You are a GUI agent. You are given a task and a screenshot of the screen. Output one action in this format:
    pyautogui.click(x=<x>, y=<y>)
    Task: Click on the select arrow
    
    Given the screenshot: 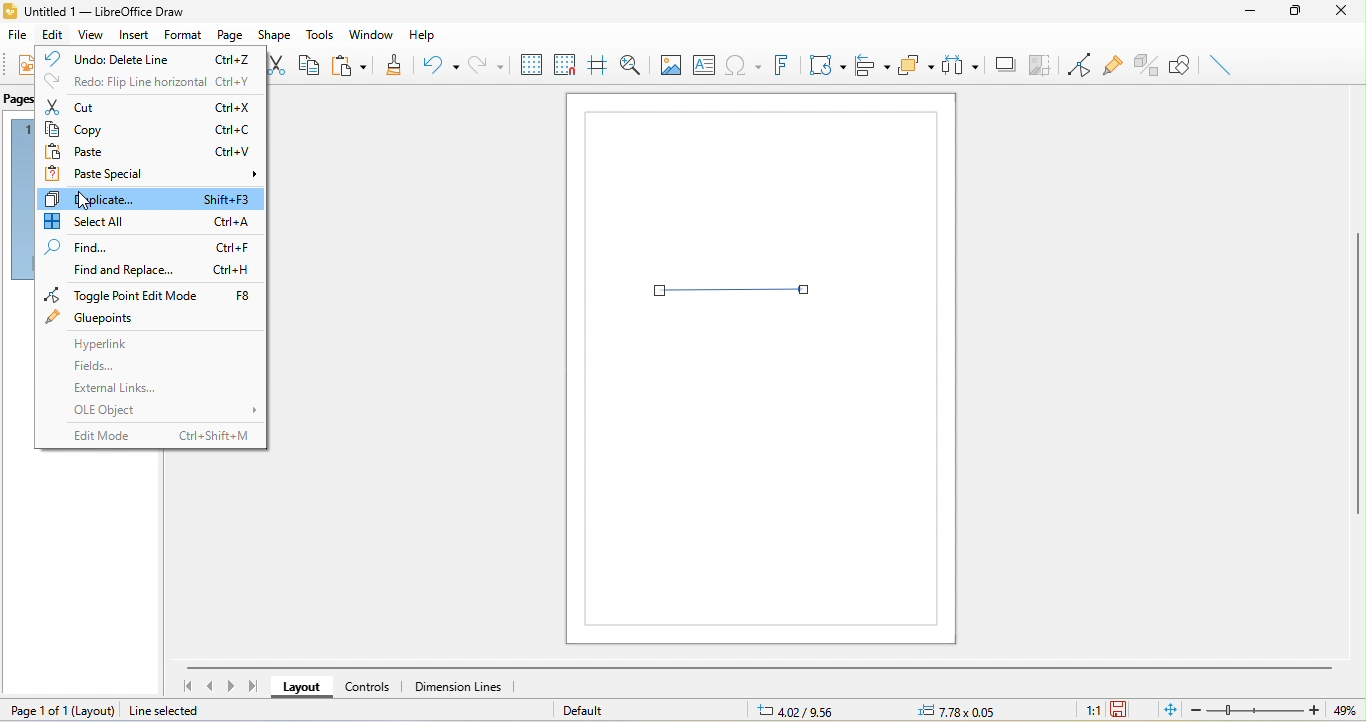 What is the action you would take?
    pyautogui.click(x=733, y=292)
    